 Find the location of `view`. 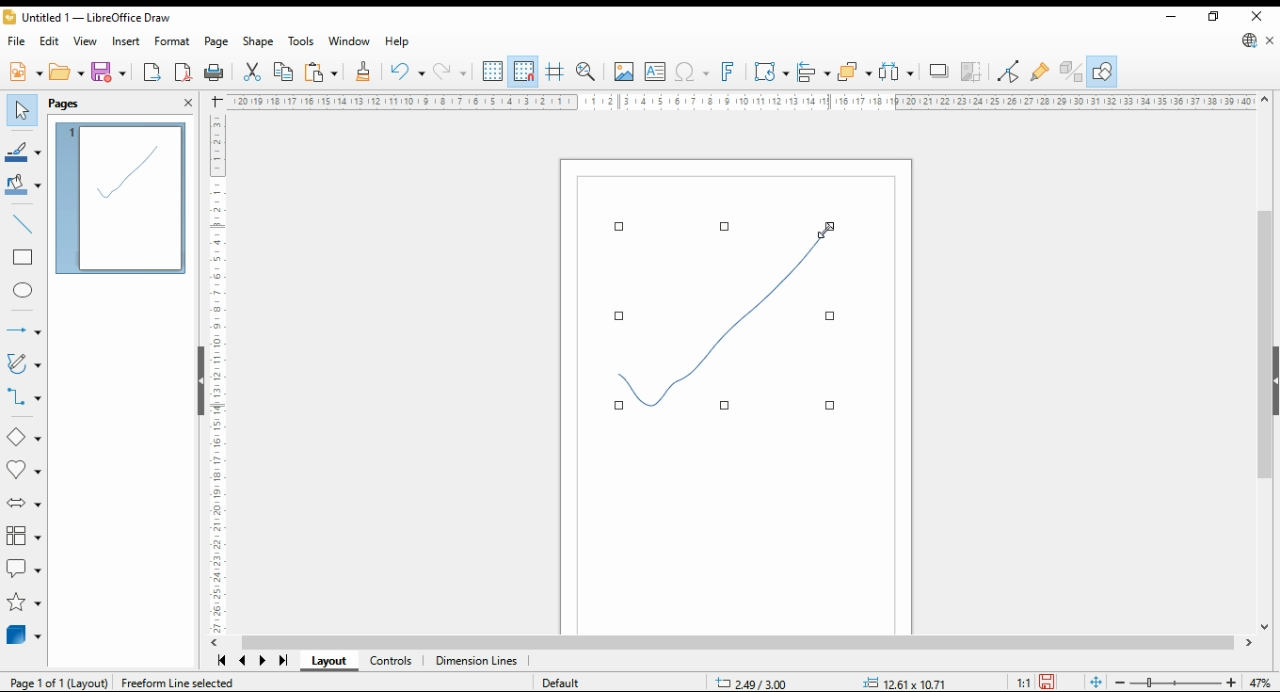

view is located at coordinates (87, 40).